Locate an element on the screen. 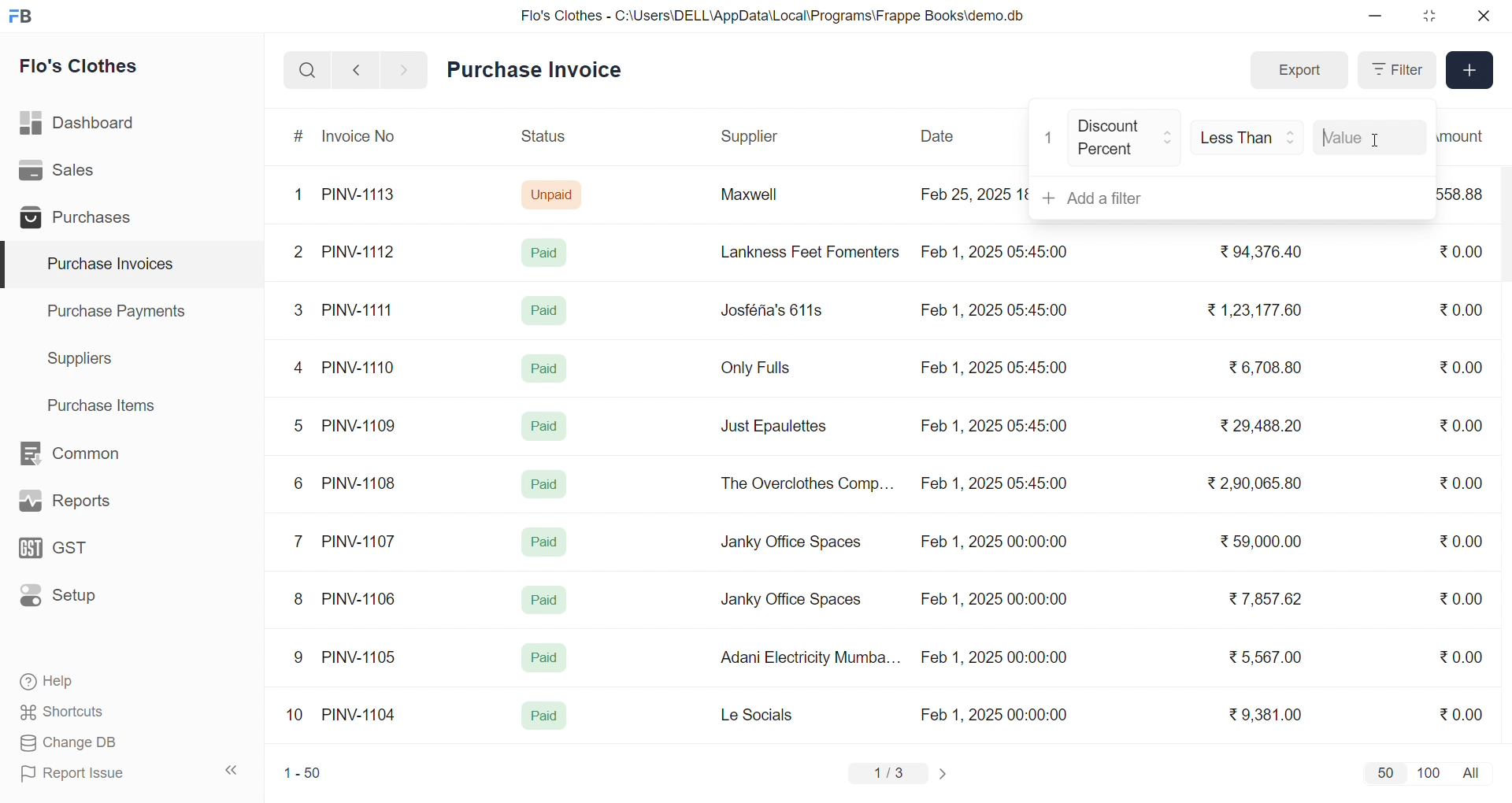  Le Socials is located at coordinates (770, 714).